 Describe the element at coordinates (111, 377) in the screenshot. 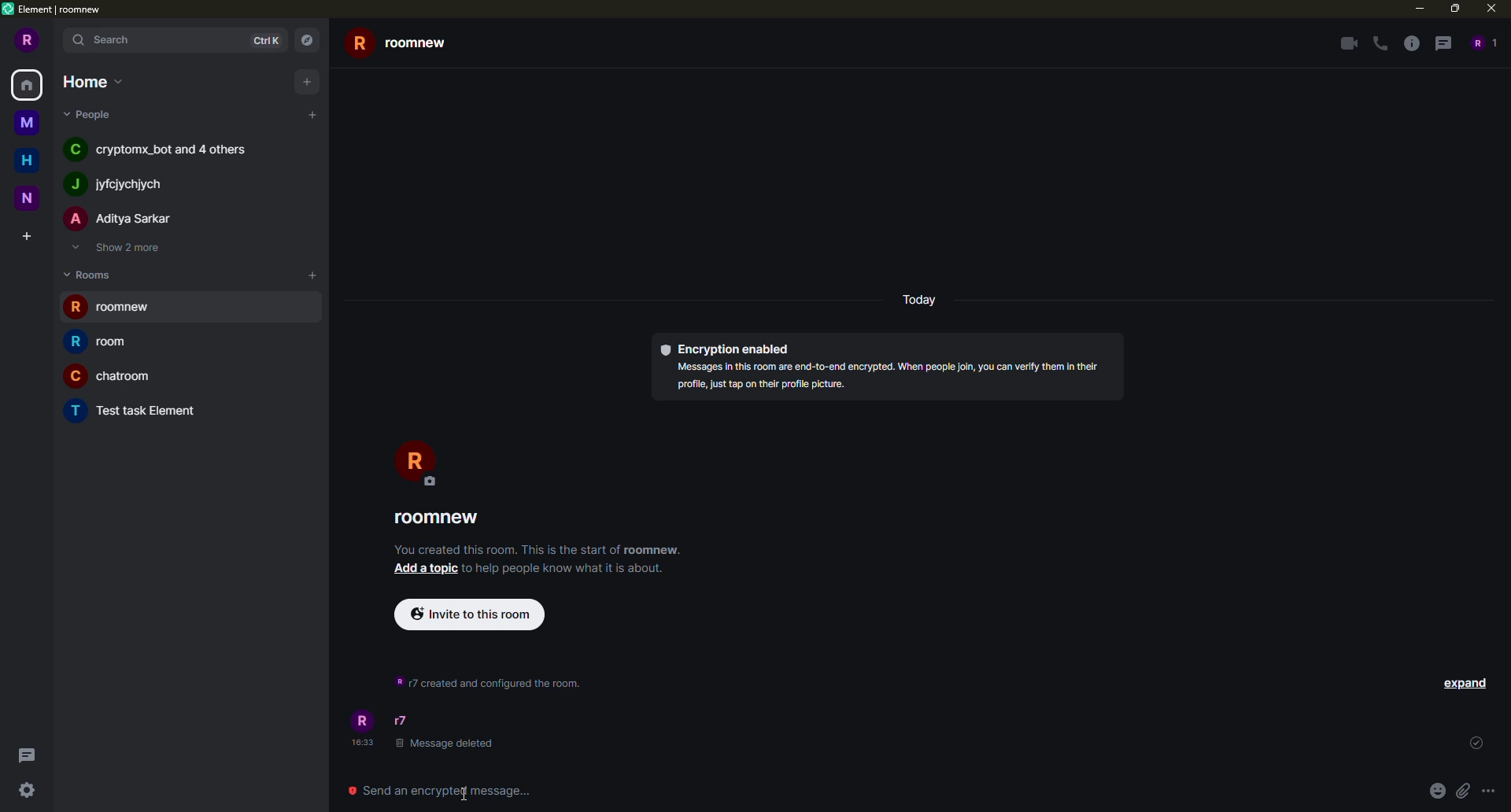

I see `room` at that location.